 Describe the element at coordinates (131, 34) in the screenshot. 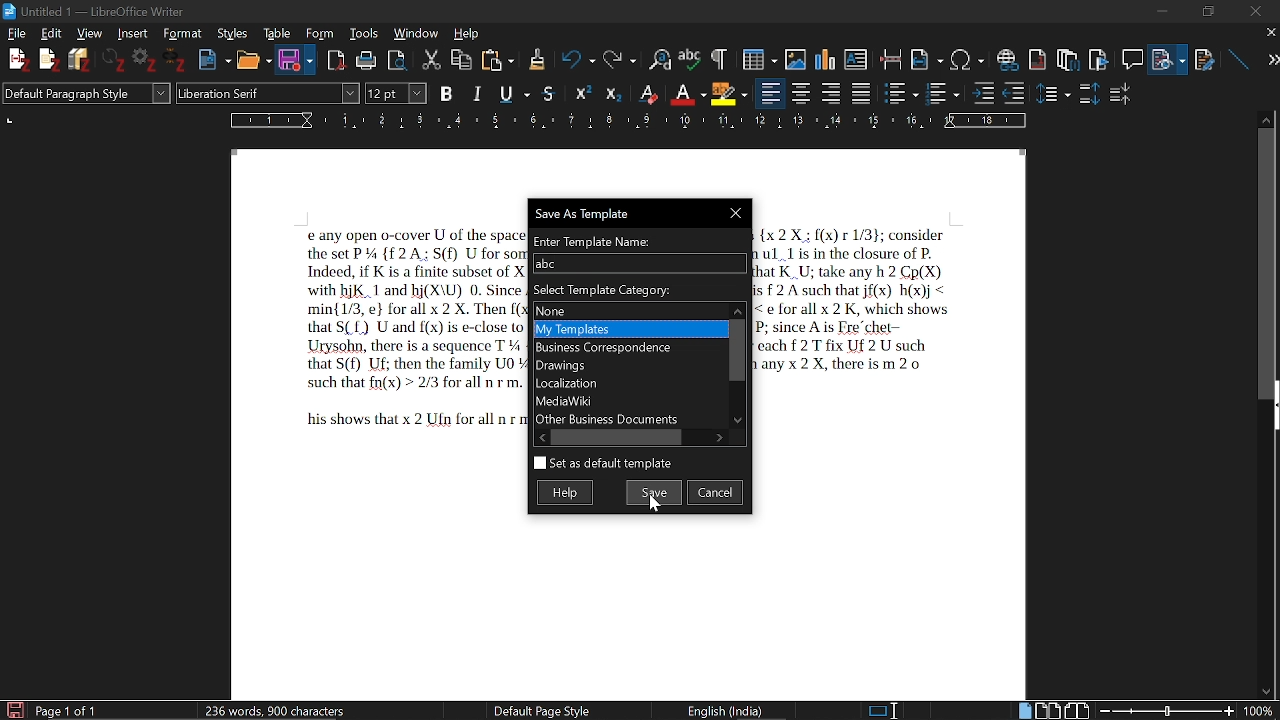

I see `Insert` at that location.